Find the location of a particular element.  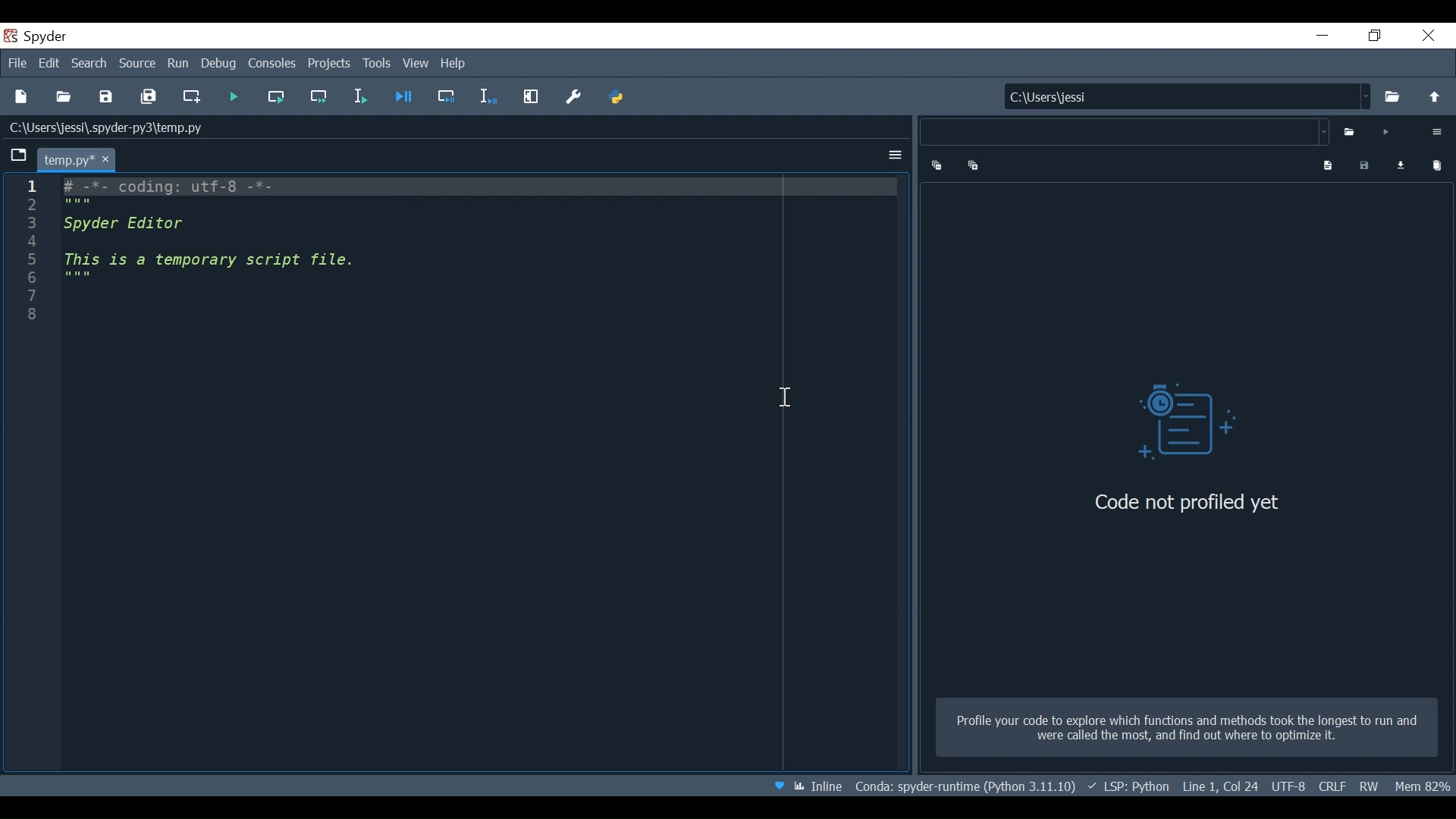

Options is located at coordinates (893, 156).